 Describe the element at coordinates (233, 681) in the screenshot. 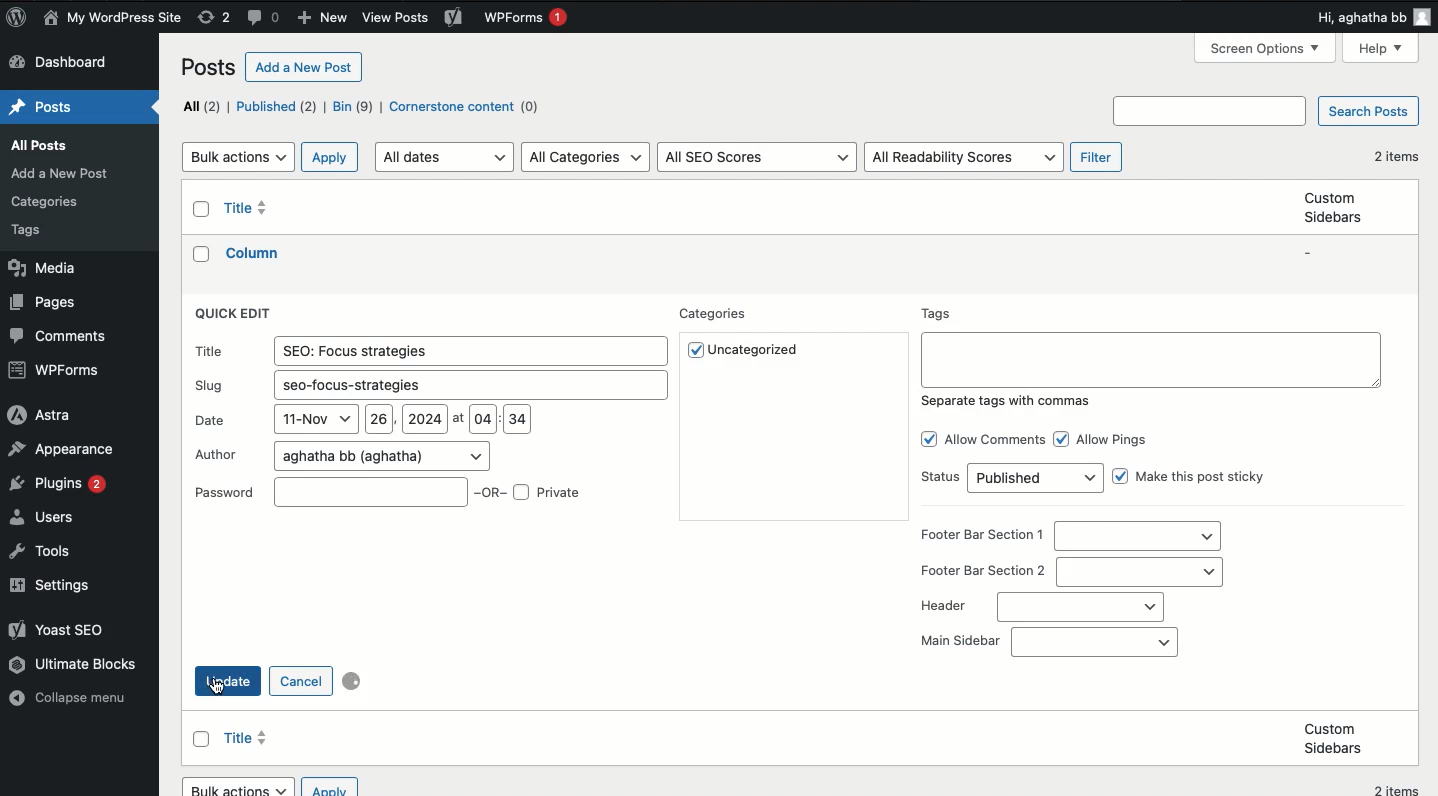

I see `Update` at that location.